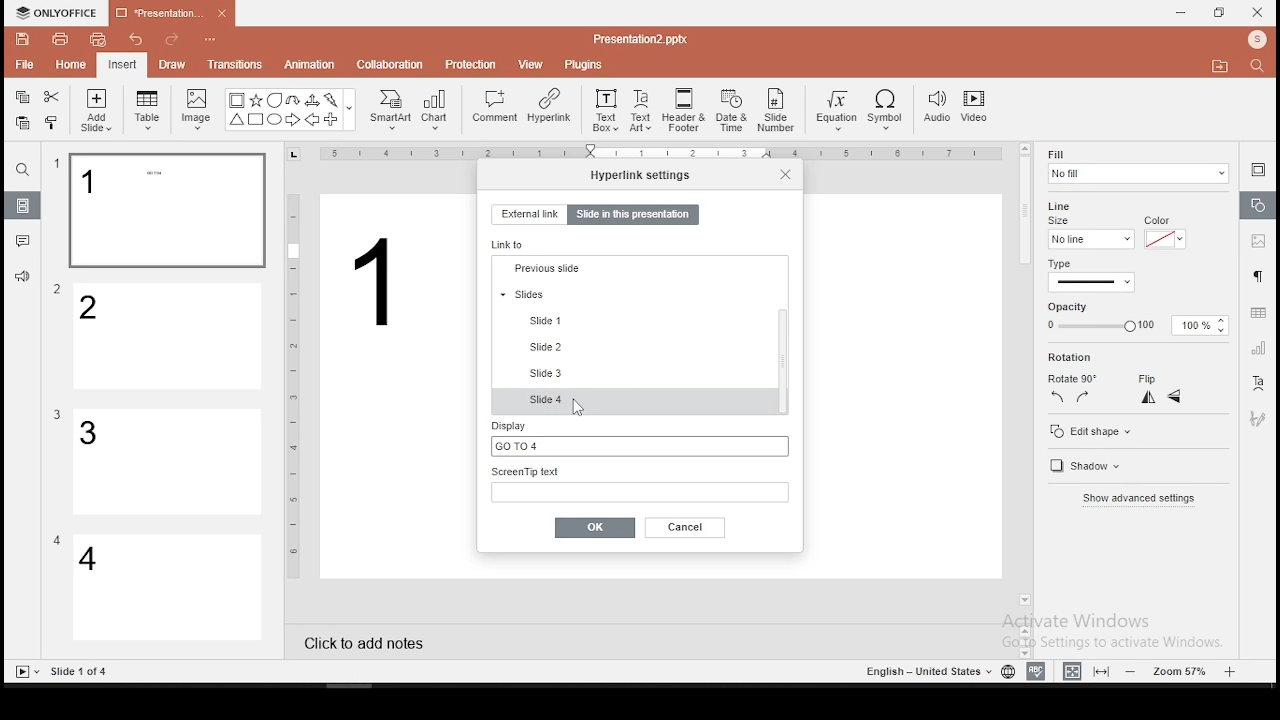  What do you see at coordinates (294, 384) in the screenshot?
I see `` at bounding box center [294, 384].